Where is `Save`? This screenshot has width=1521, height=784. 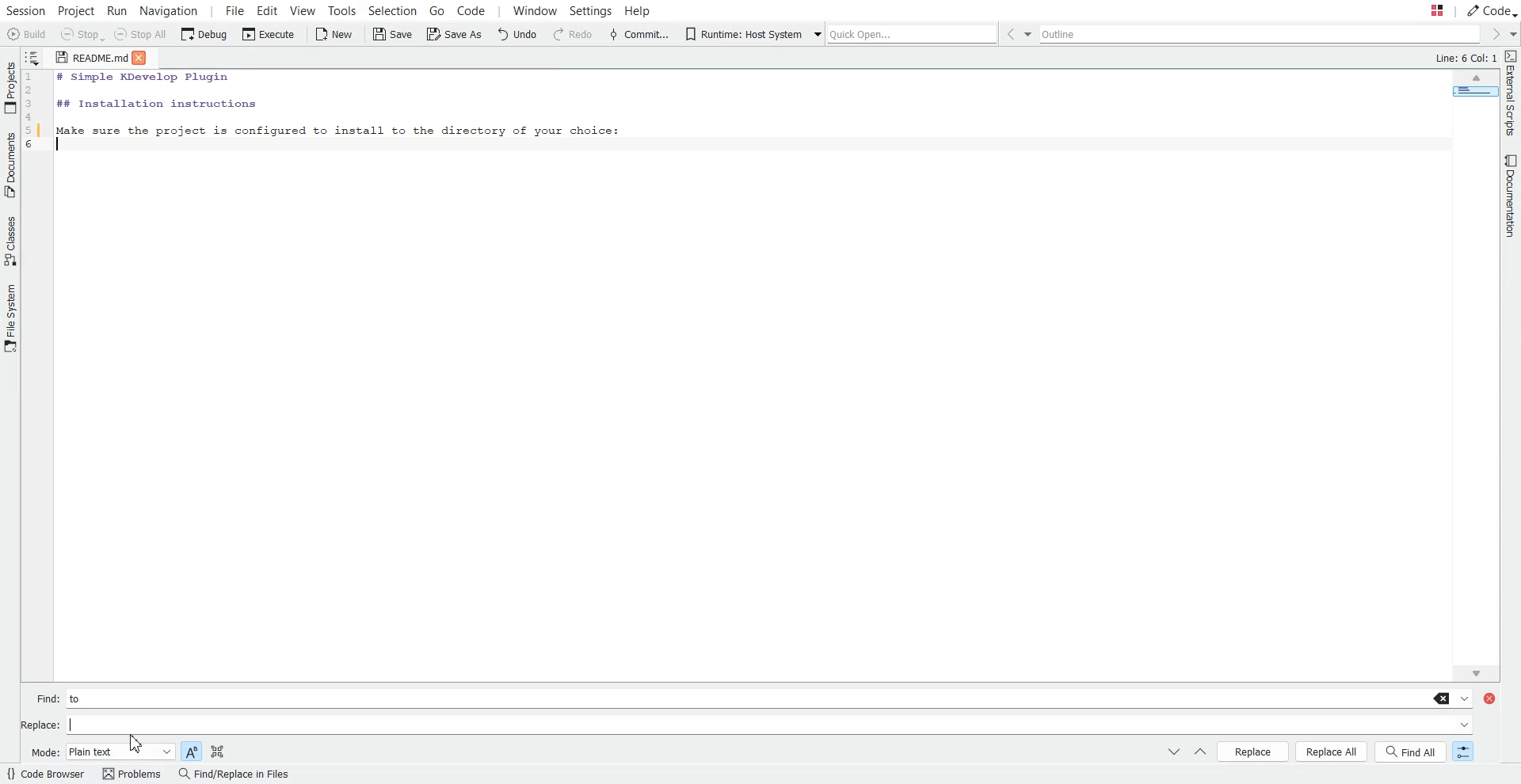
Save is located at coordinates (391, 34).